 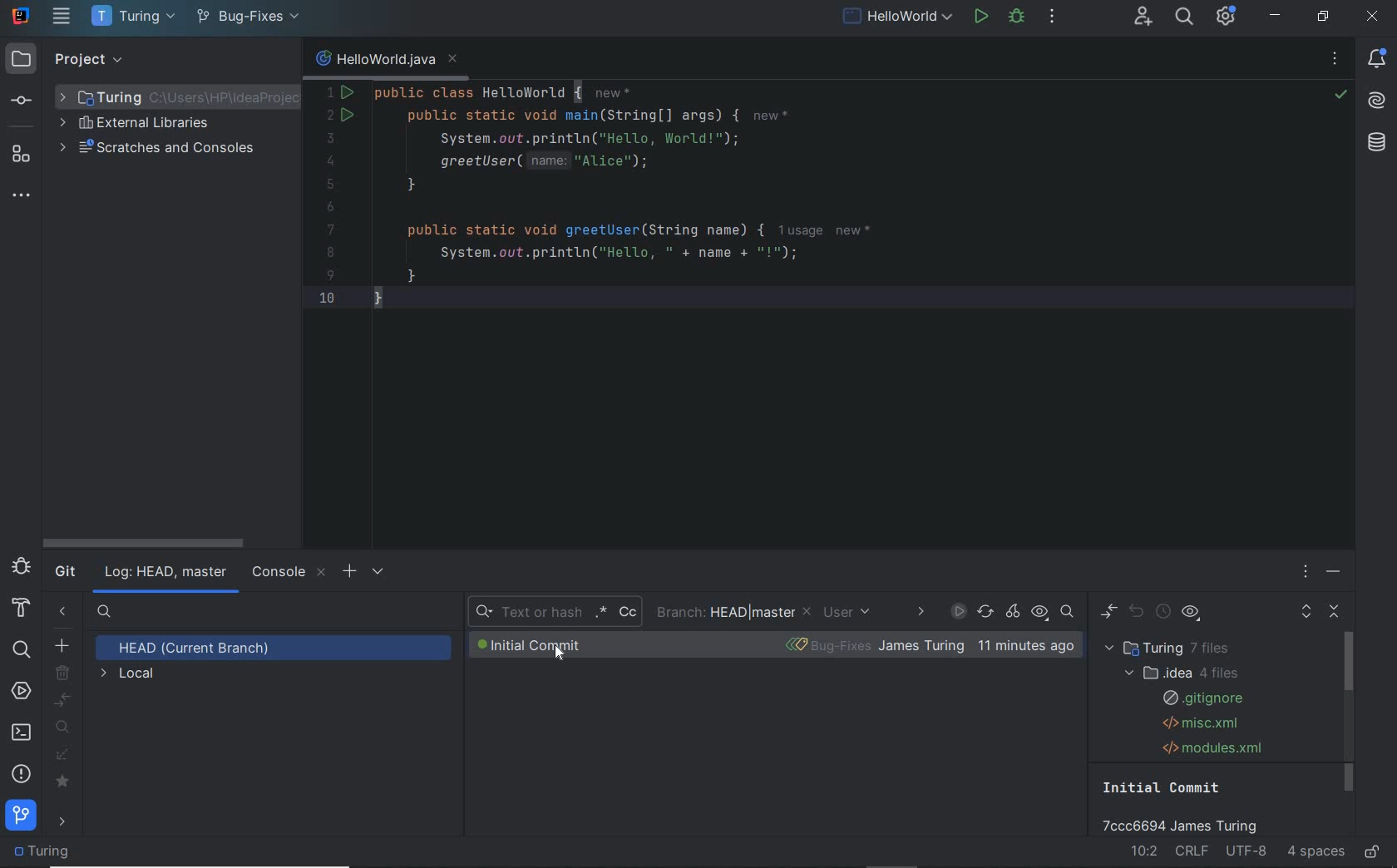 What do you see at coordinates (1188, 806) in the screenshot?
I see `Commit name` at bounding box center [1188, 806].